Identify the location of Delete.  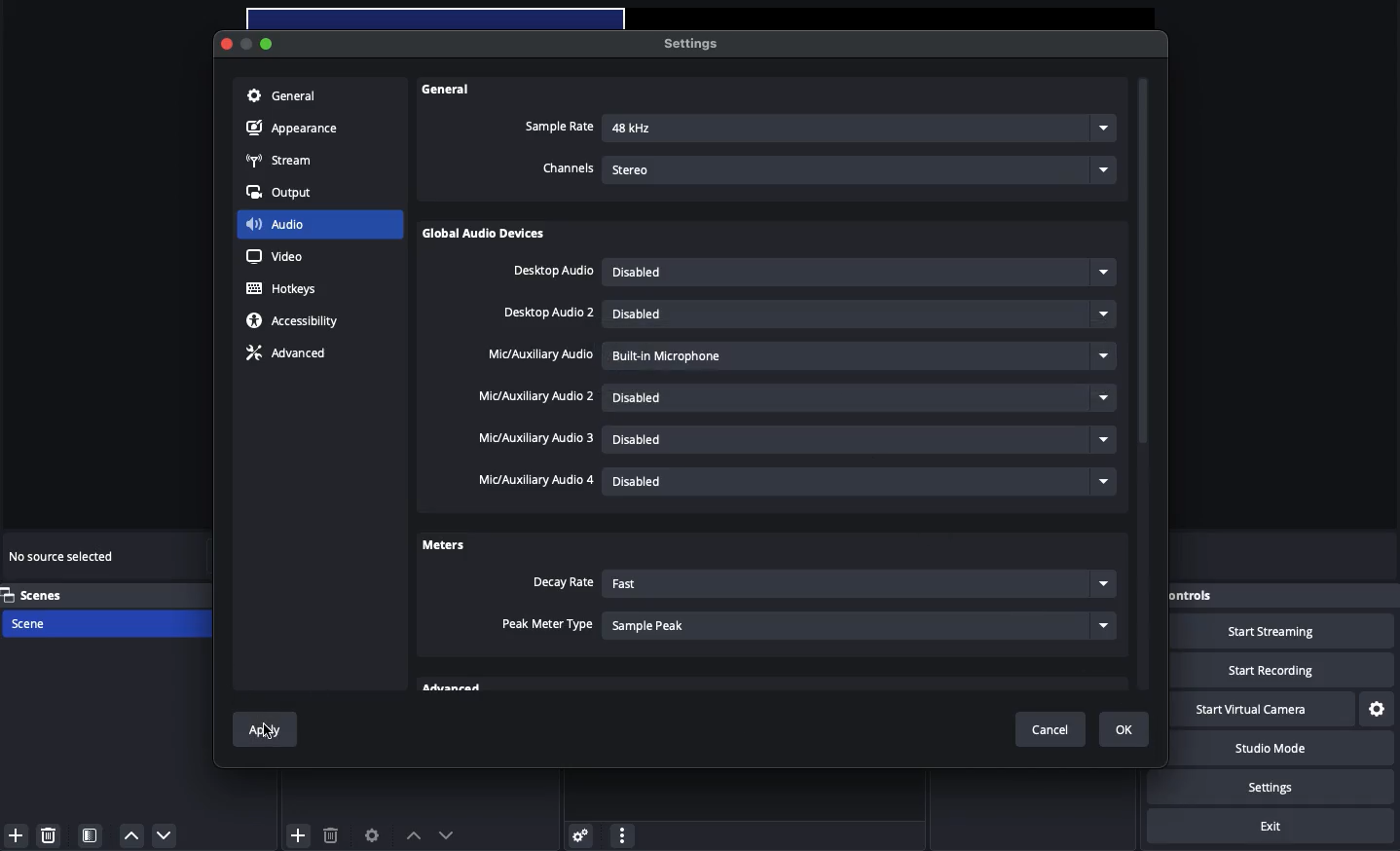
(51, 834).